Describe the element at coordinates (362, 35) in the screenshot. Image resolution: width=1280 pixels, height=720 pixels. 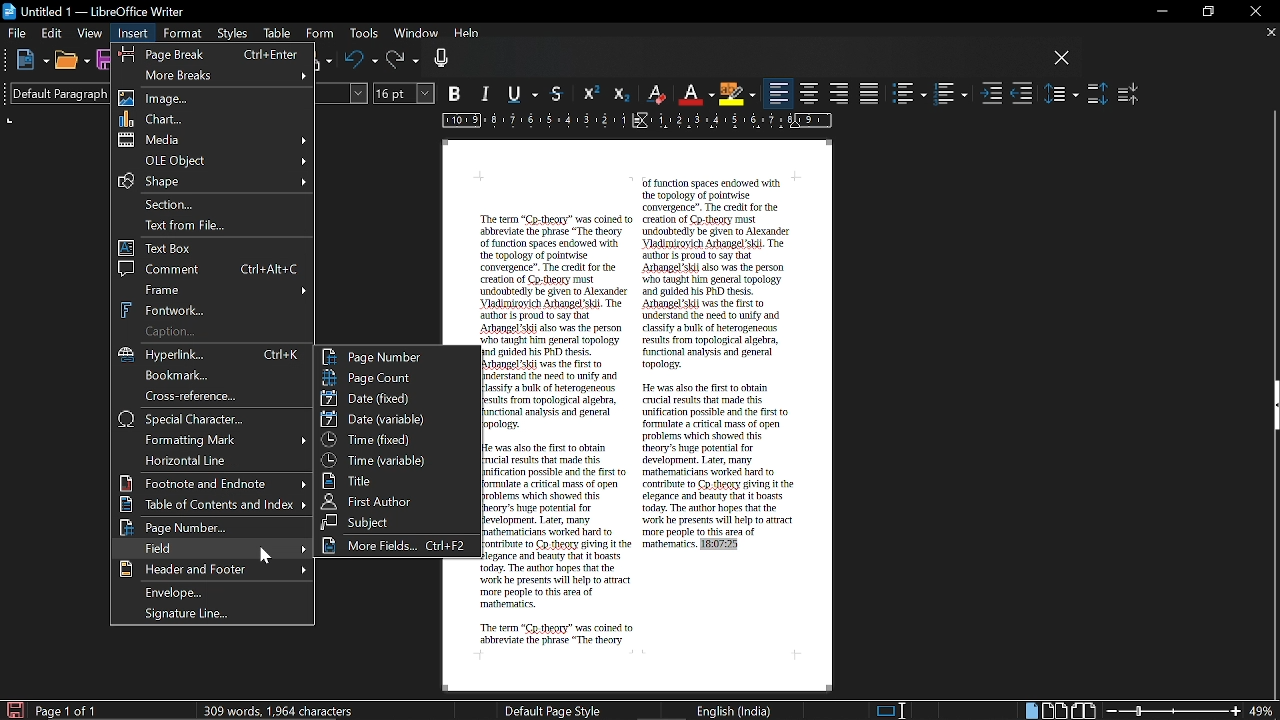
I see `Tools` at that location.